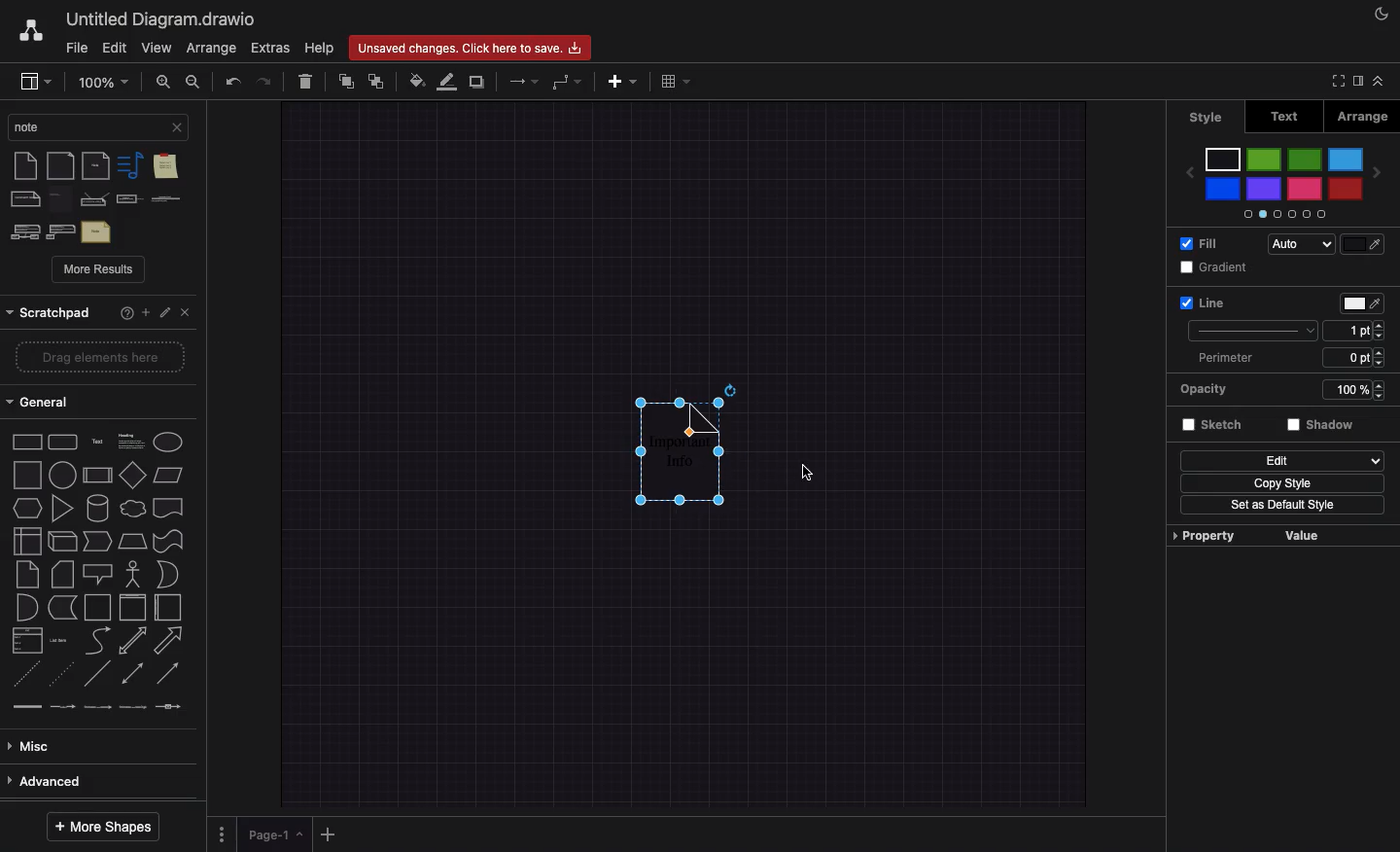  I want to click on Add page, so click(327, 835).